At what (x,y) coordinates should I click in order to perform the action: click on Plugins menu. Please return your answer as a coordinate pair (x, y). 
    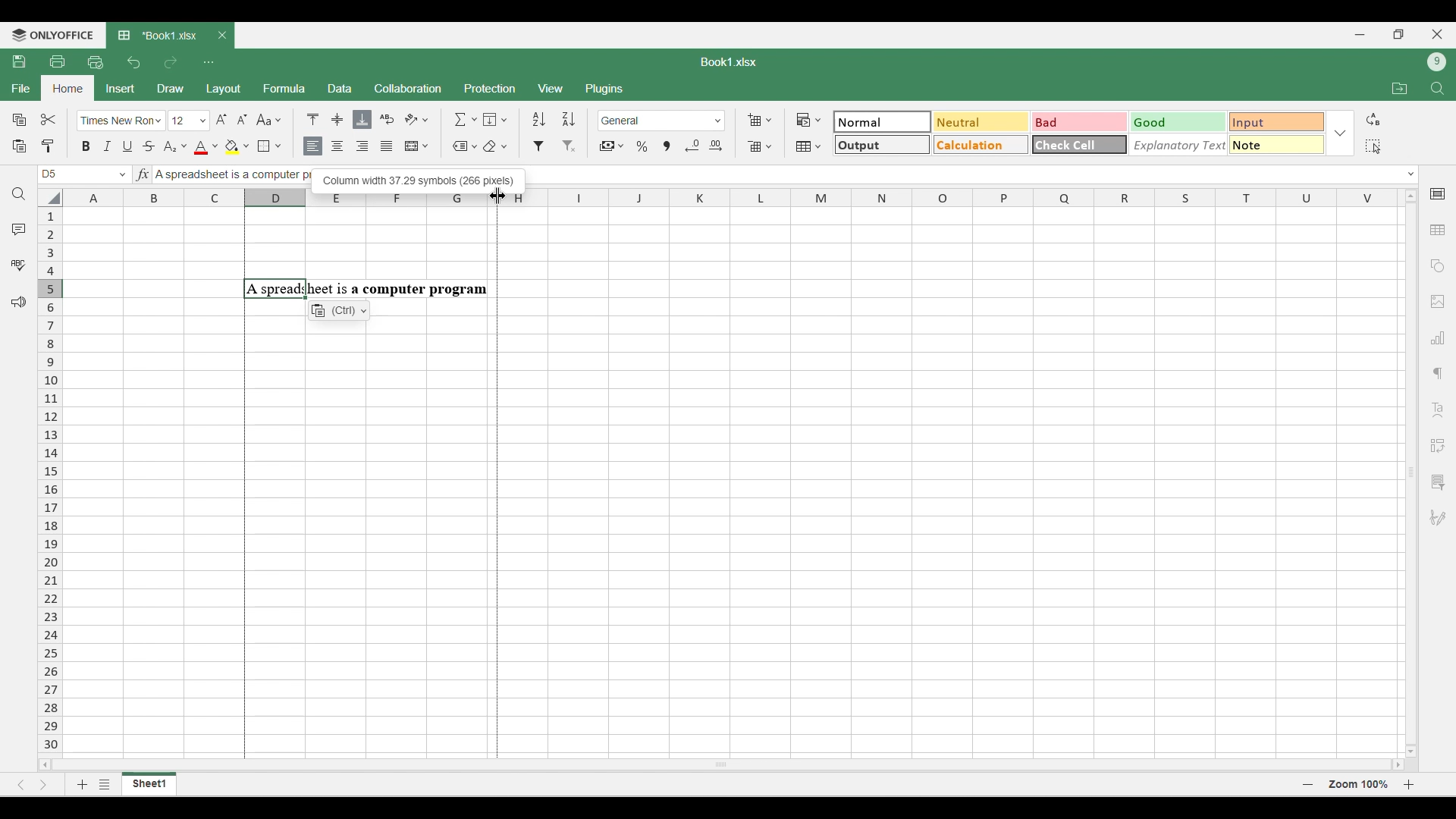
    Looking at the image, I should click on (606, 89).